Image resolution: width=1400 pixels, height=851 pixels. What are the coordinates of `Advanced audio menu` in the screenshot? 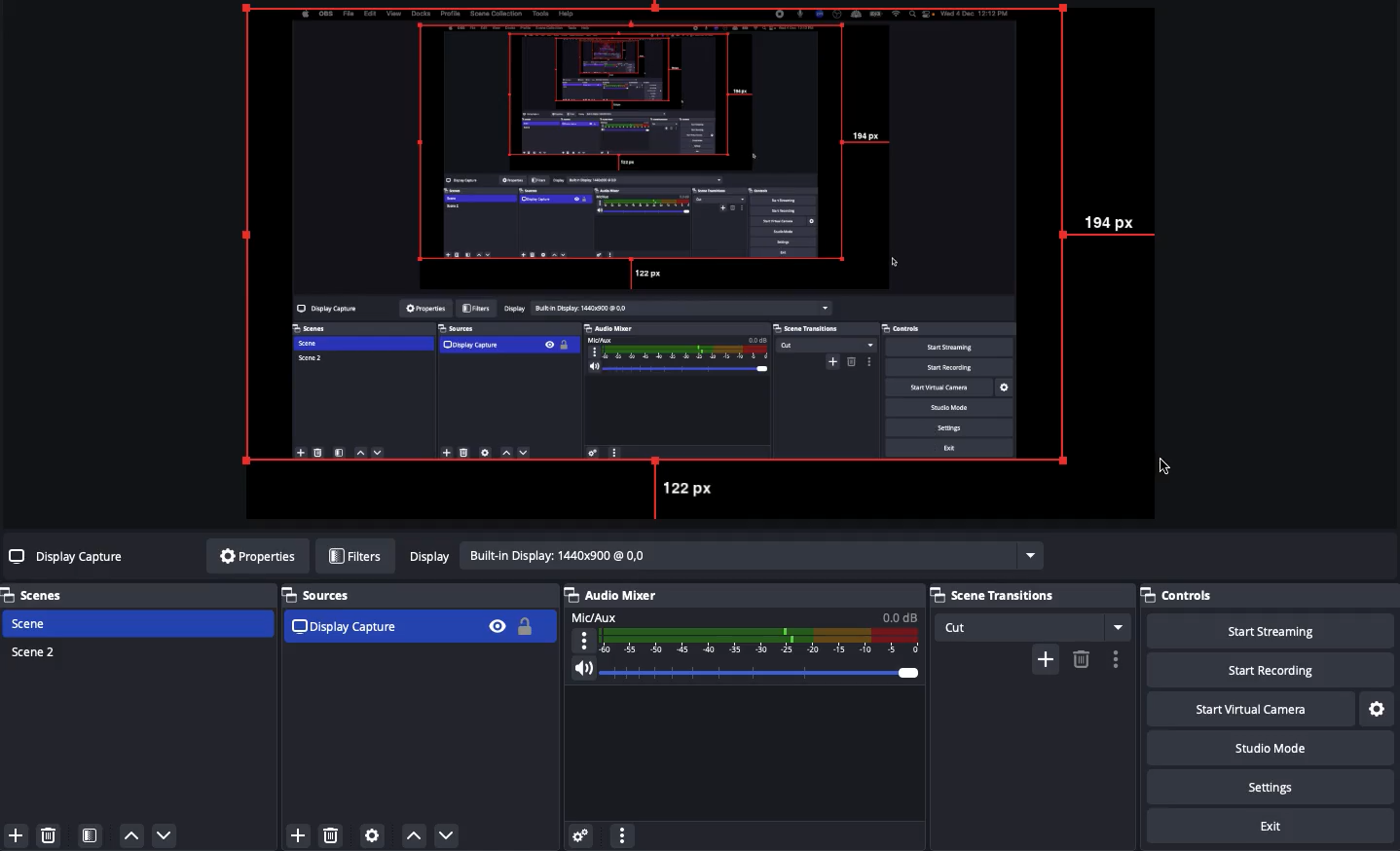 It's located at (580, 833).